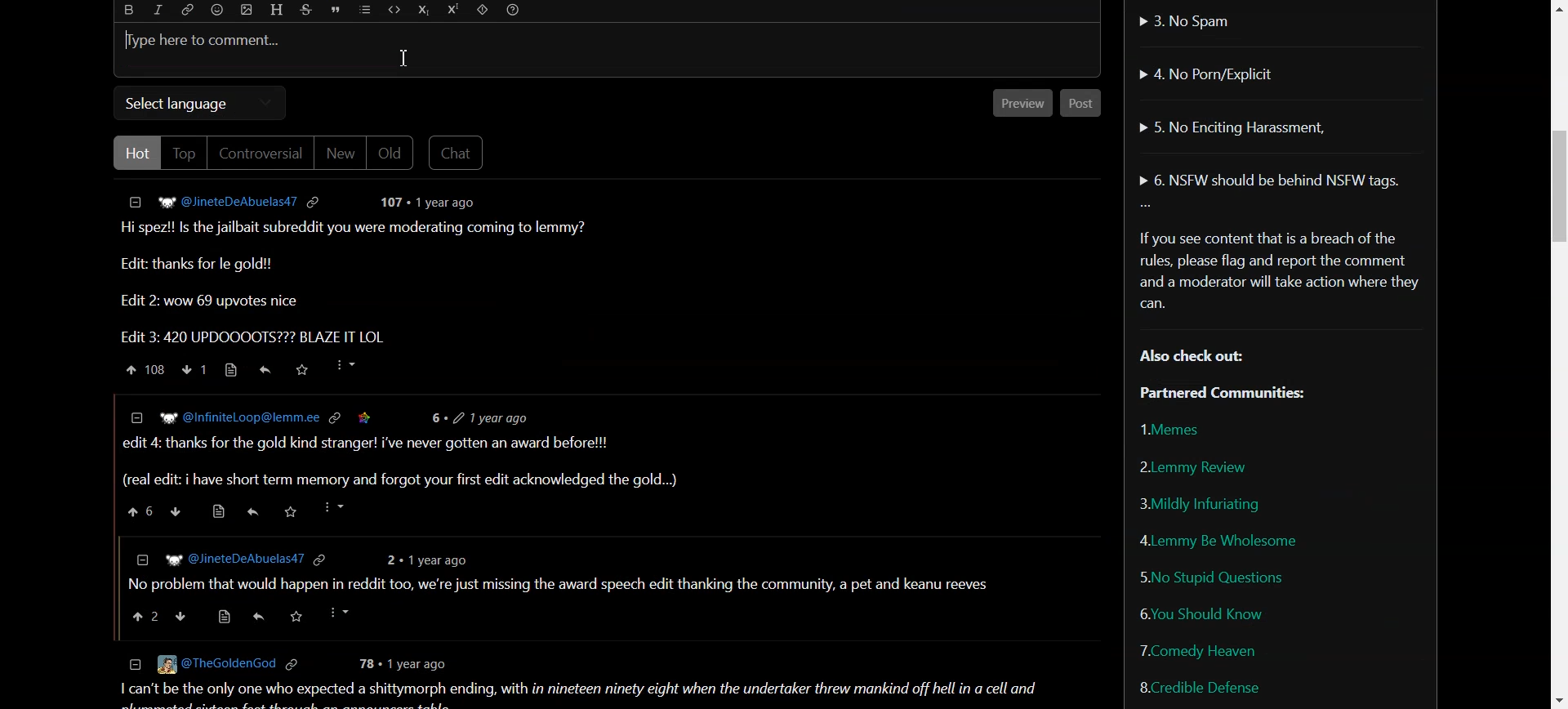 The image size is (1568, 709). What do you see at coordinates (1199, 649) in the screenshot?
I see `Comedy Heaven` at bounding box center [1199, 649].